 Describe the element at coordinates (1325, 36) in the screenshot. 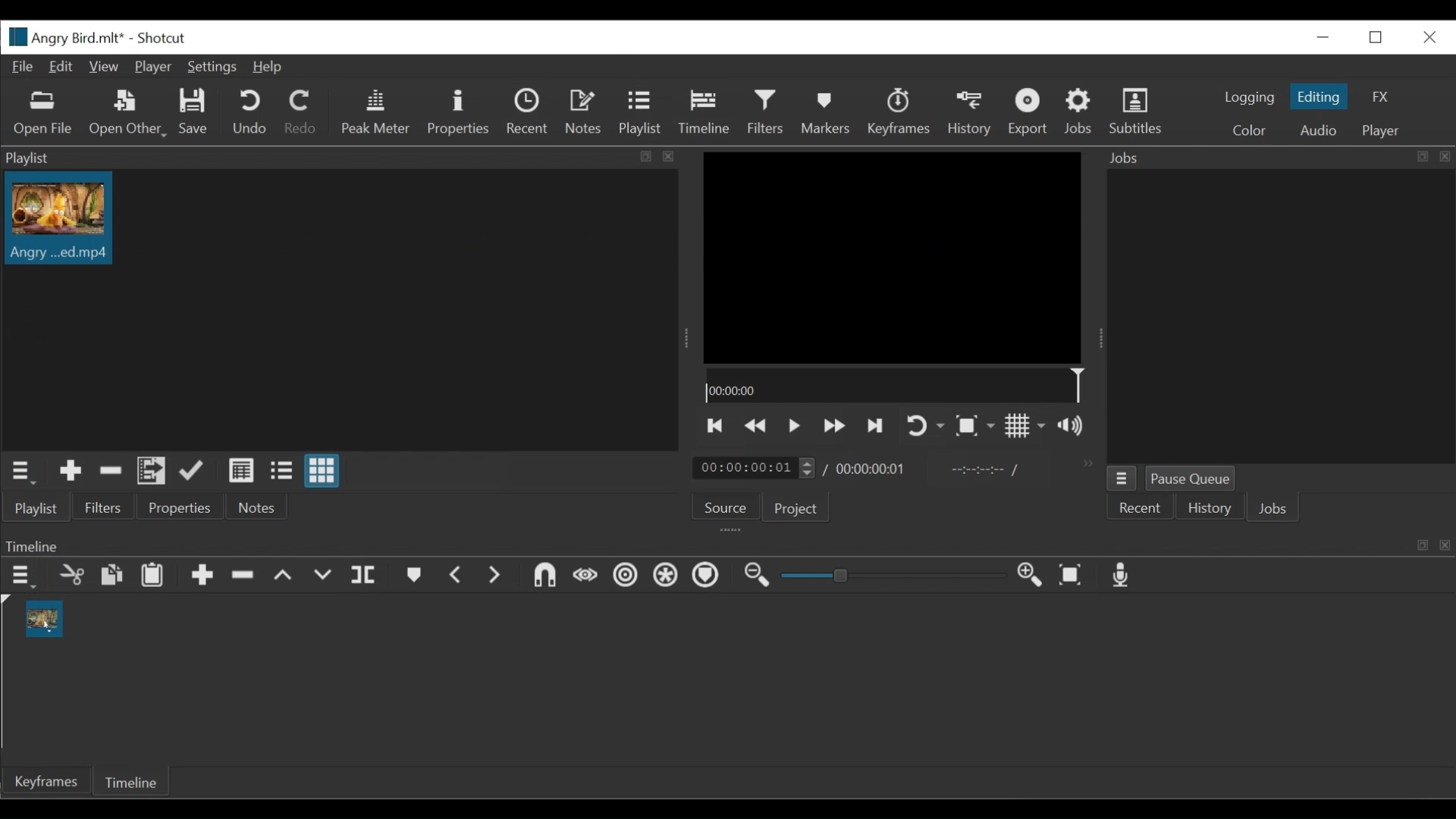

I see `minimize` at that location.